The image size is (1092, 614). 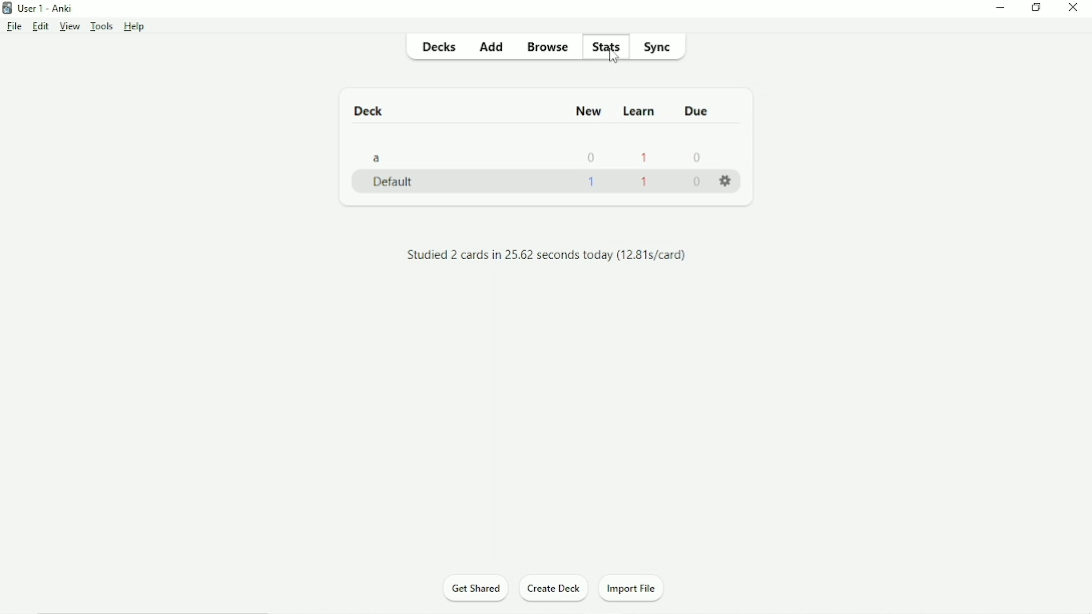 I want to click on a, so click(x=373, y=158).